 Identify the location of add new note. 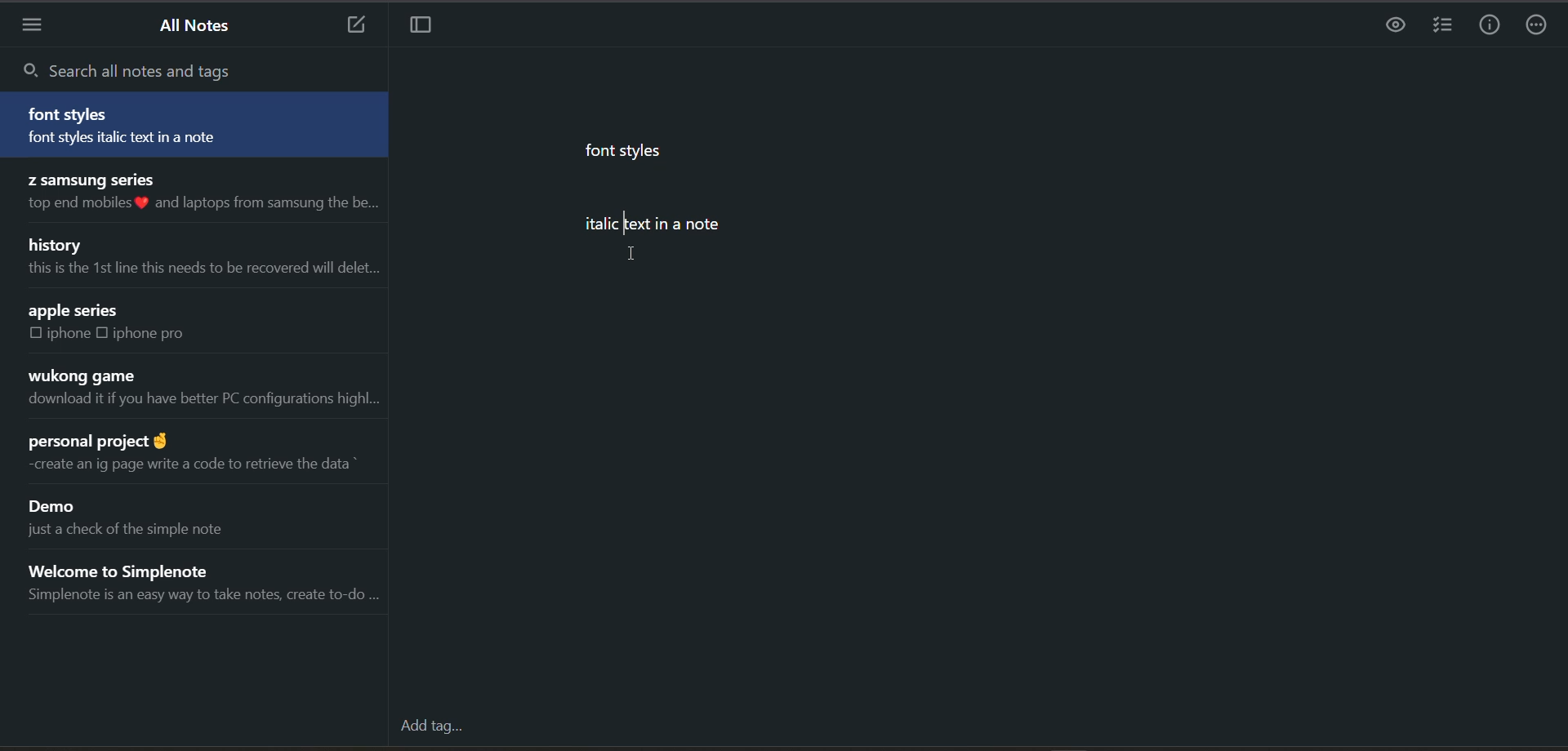
(354, 26).